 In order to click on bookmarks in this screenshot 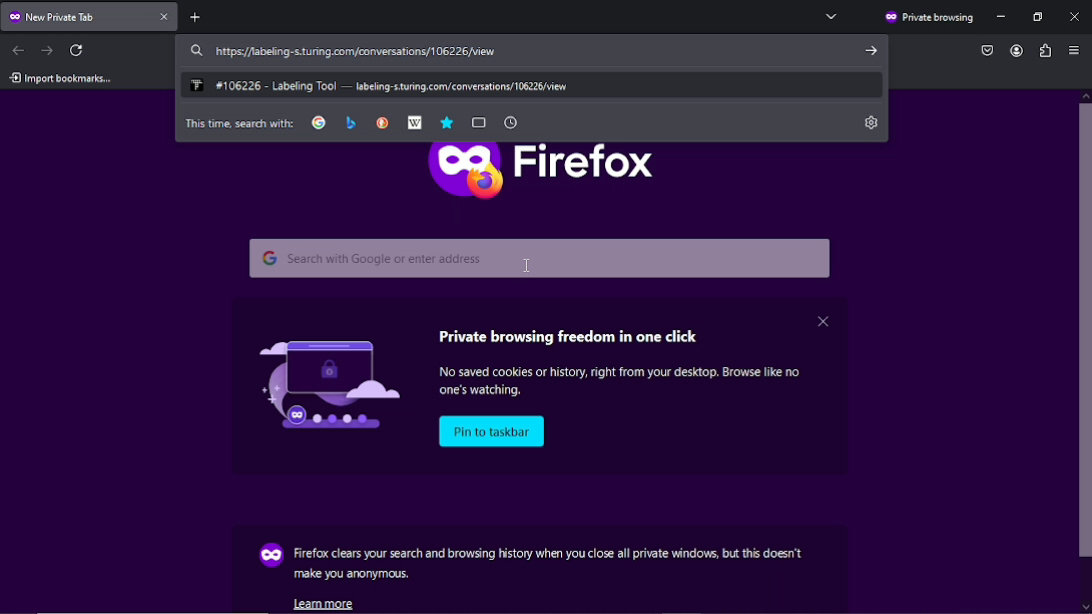, I will do `click(446, 122)`.